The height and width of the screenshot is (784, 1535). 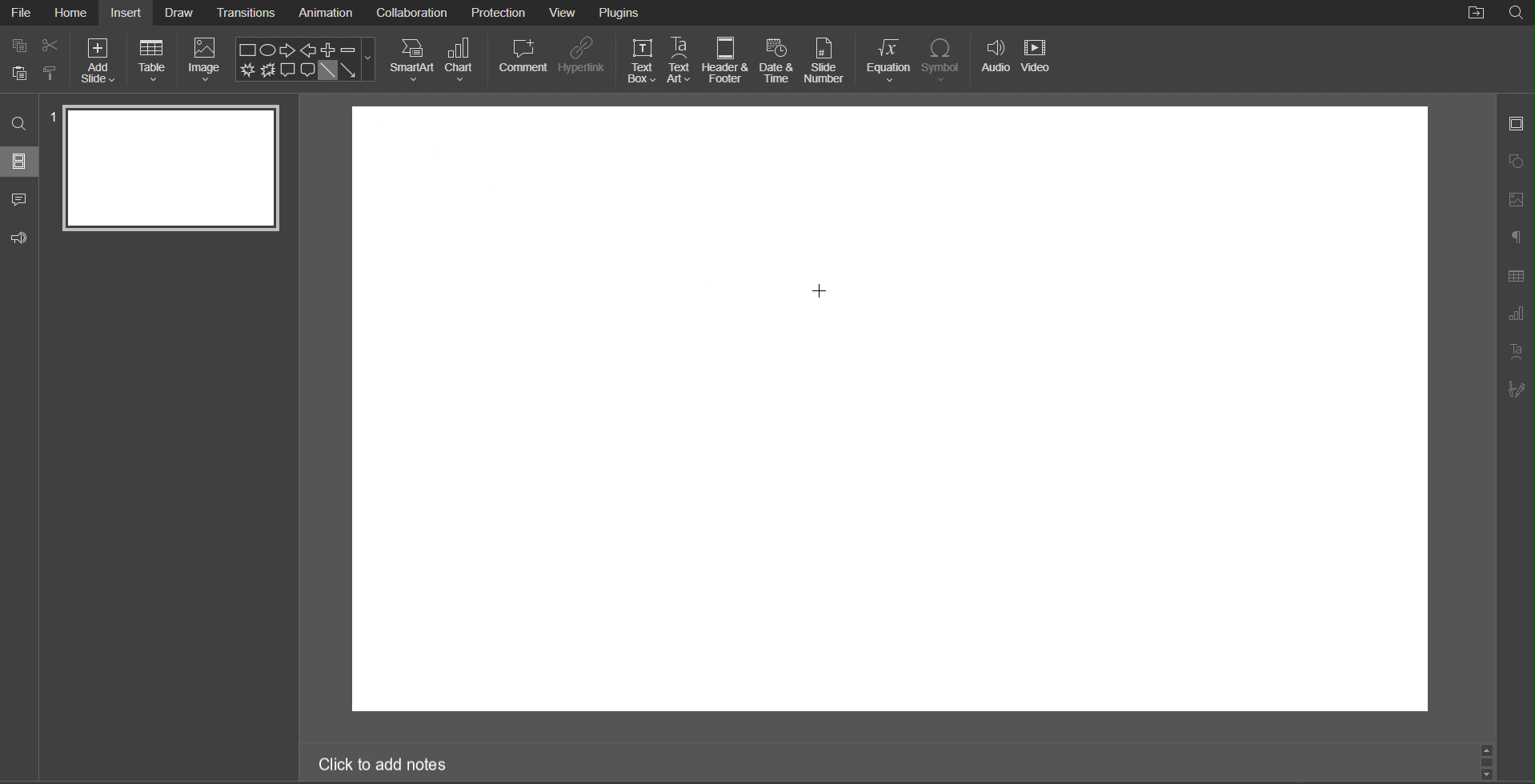 I want to click on Header & Footer, so click(x=727, y=60).